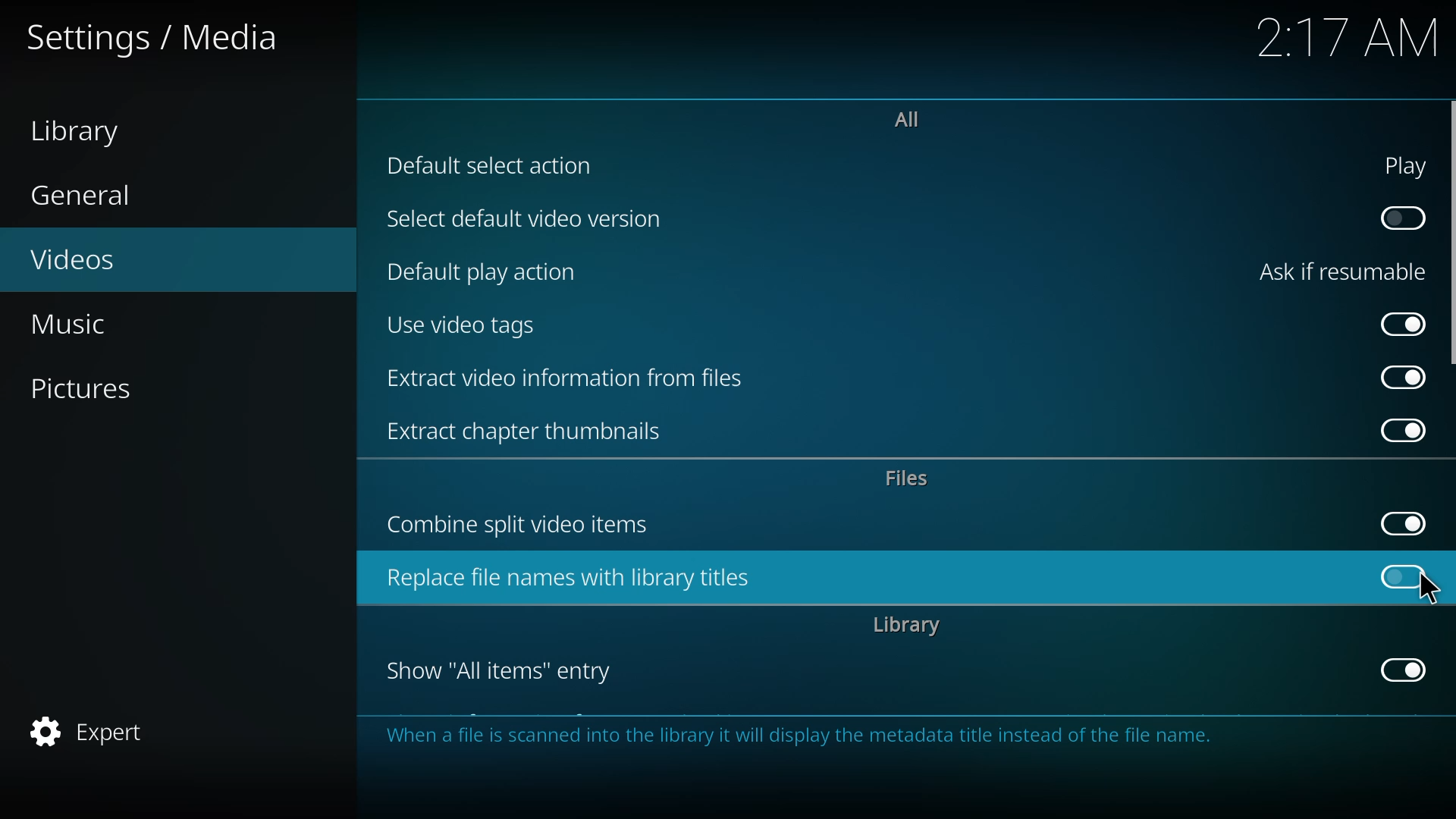  I want to click on library, so click(908, 626).